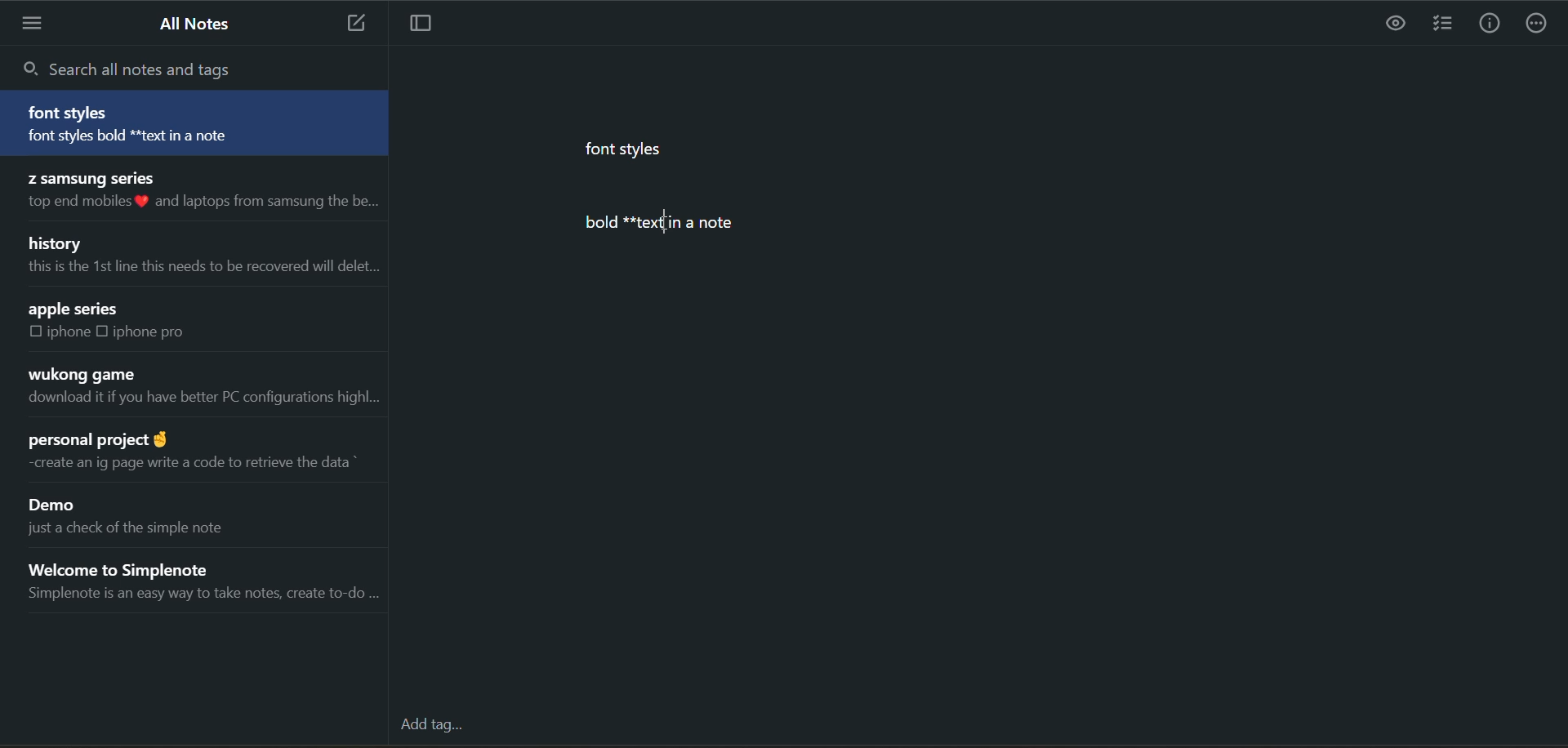  What do you see at coordinates (350, 24) in the screenshot?
I see `add new note` at bounding box center [350, 24].